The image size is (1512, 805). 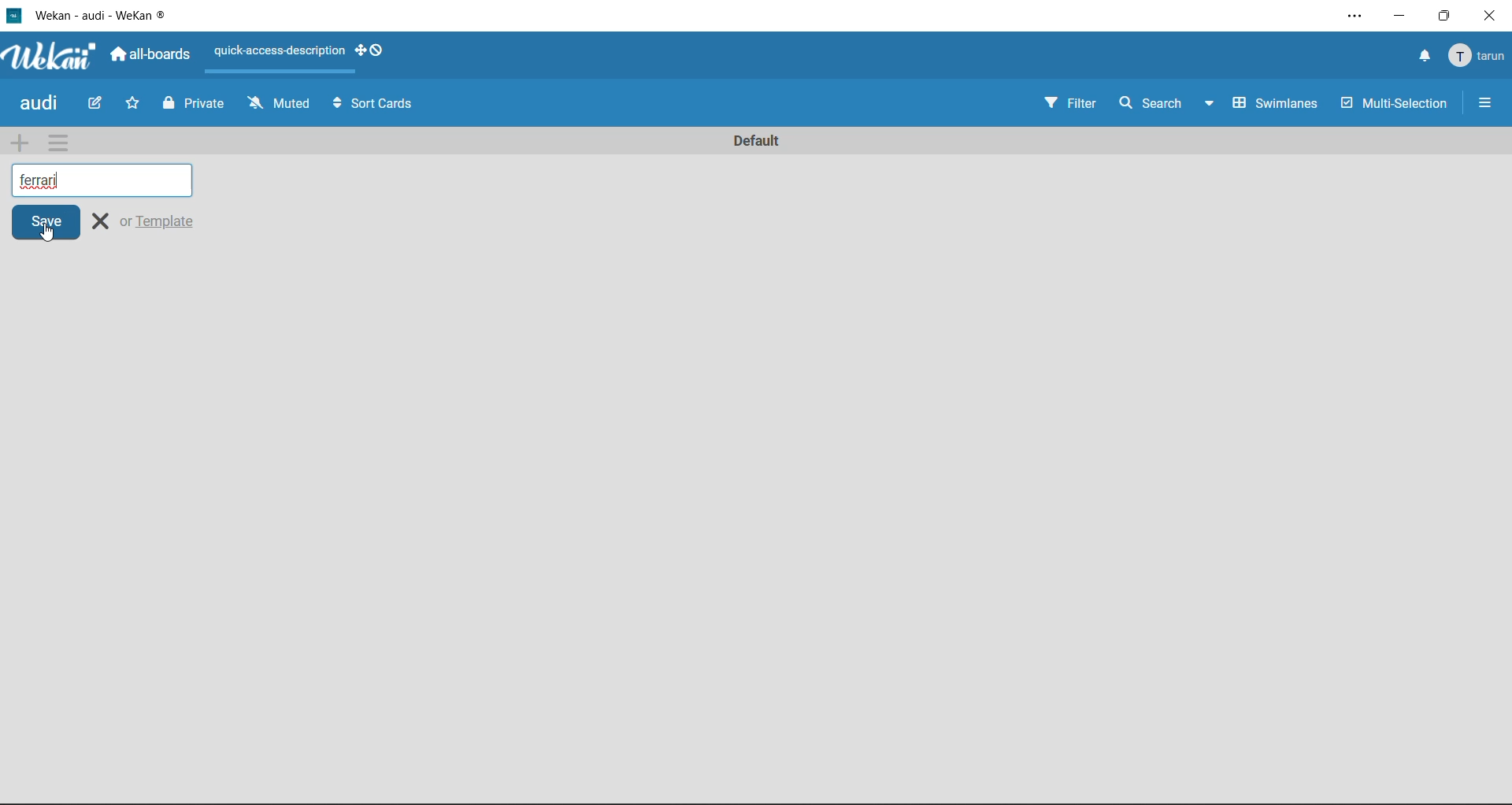 What do you see at coordinates (193, 105) in the screenshot?
I see `private` at bounding box center [193, 105].